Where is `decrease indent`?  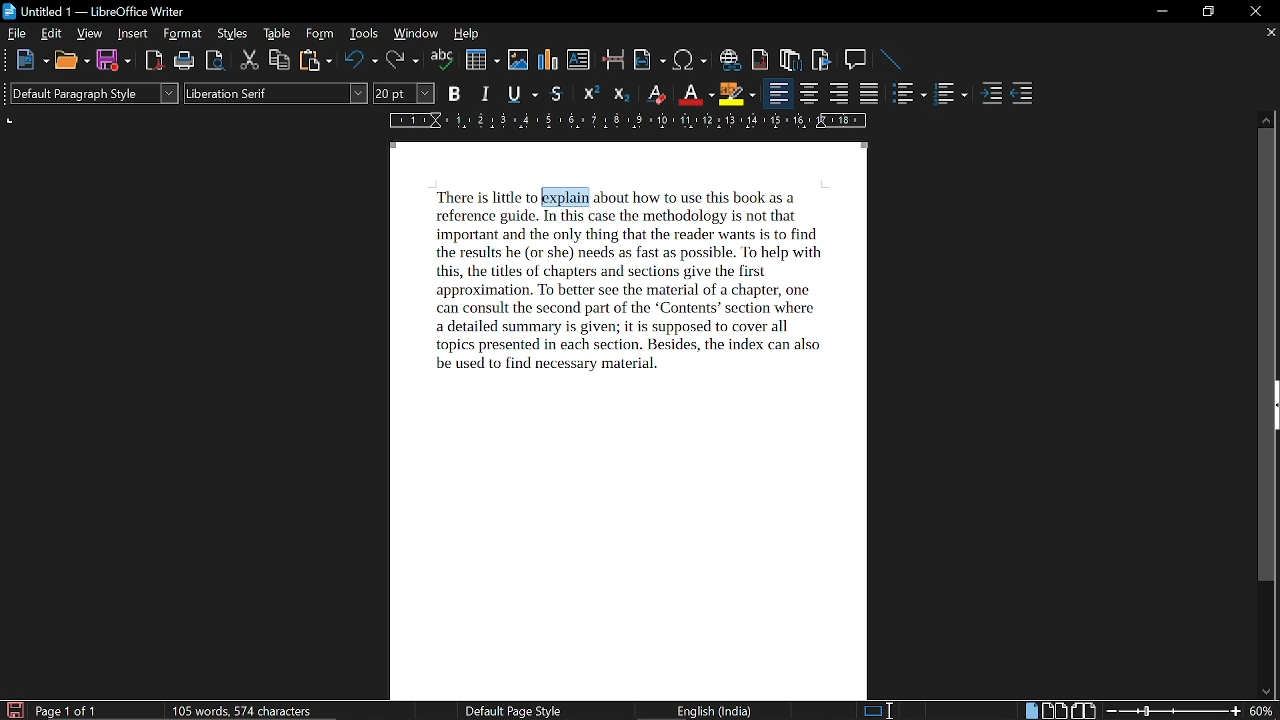
decrease indent is located at coordinates (1022, 94).